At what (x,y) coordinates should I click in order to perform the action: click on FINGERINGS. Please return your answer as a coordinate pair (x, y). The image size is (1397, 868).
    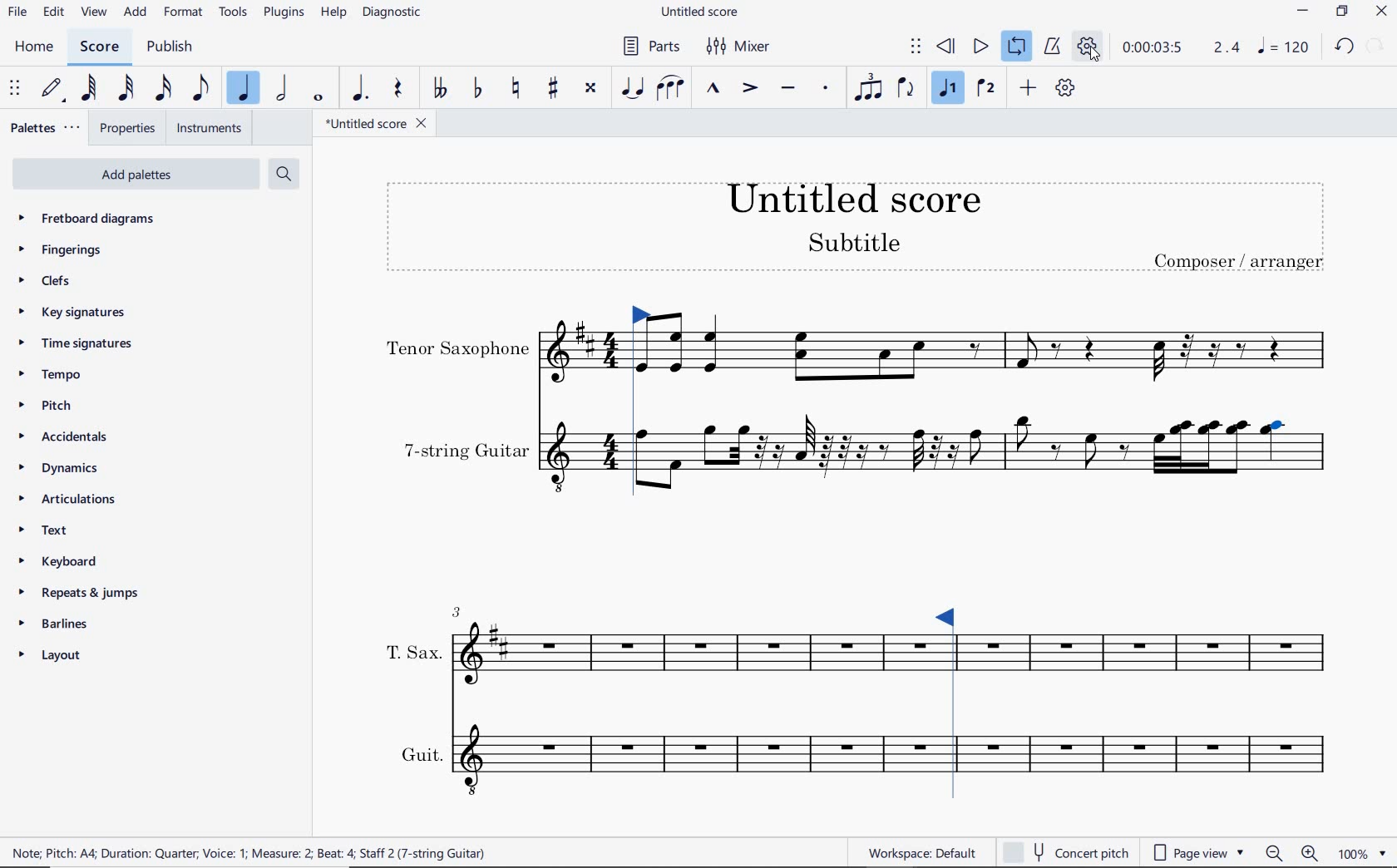
    Looking at the image, I should click on (62, 250).